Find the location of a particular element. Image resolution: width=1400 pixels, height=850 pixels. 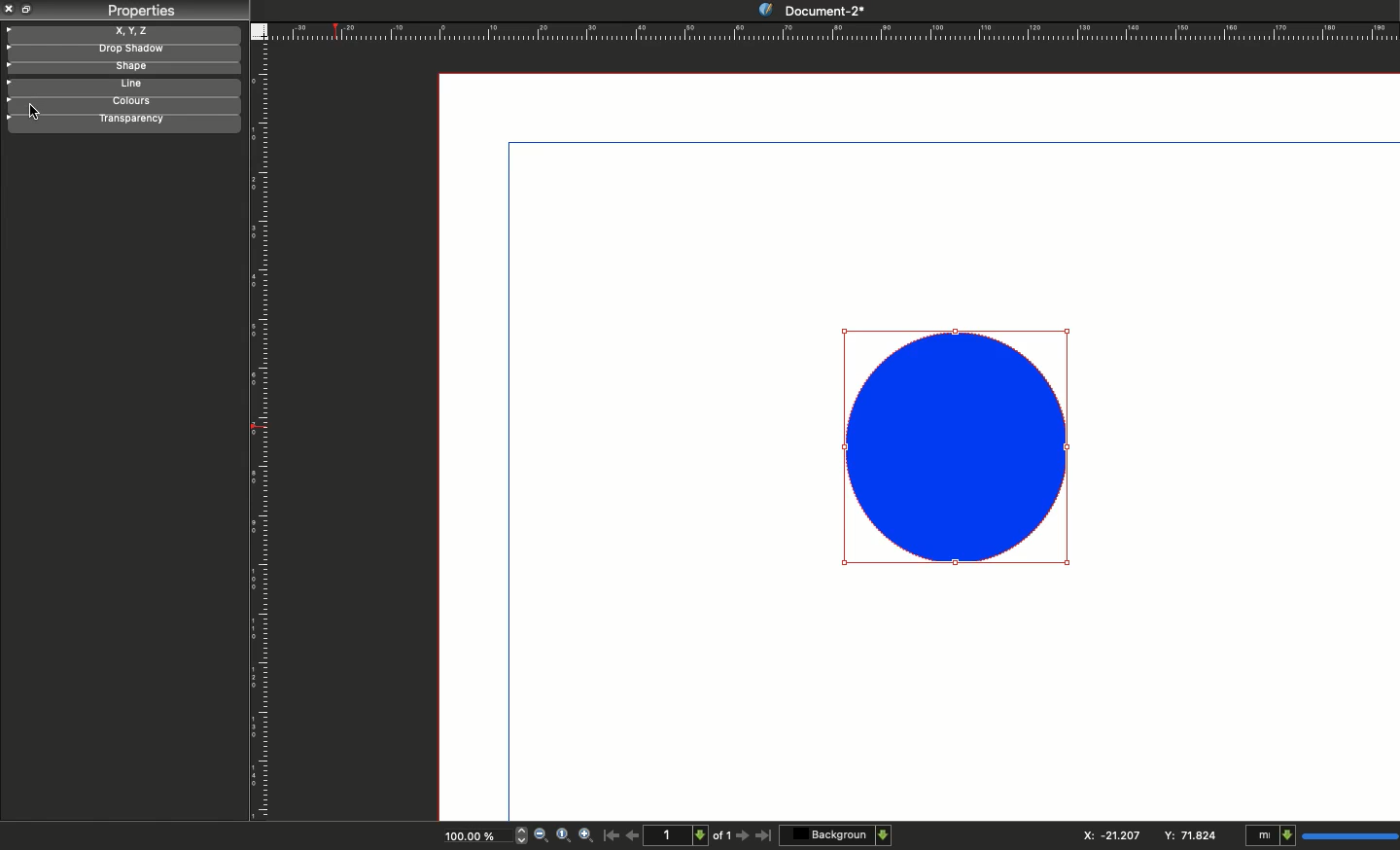

mI is located at coordinates (1318, 836).